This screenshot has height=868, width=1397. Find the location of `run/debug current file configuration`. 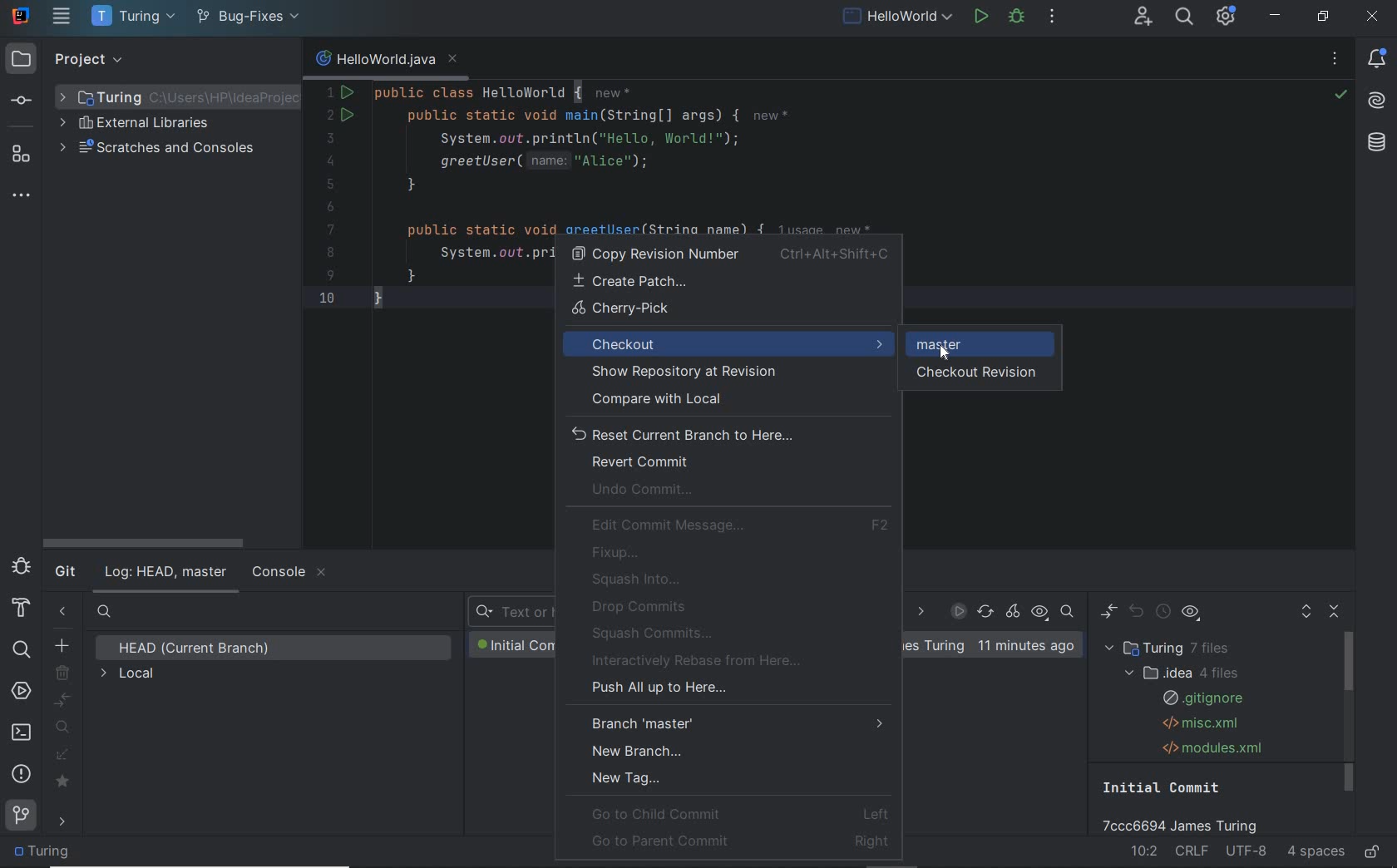

run/debug current file configuration is located at coordinates (896, 14).